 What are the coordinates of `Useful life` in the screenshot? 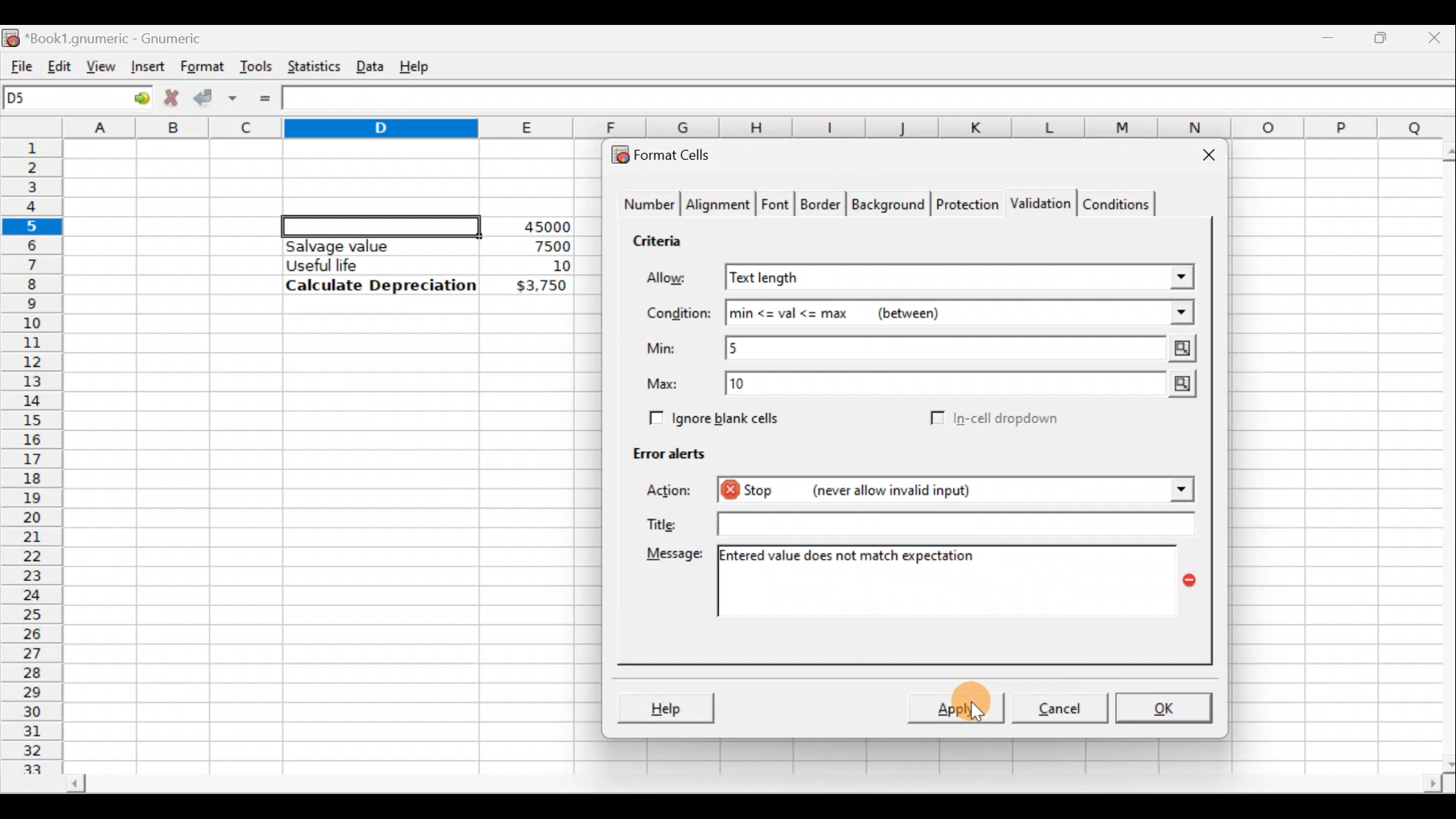 It's located at (372, 265).